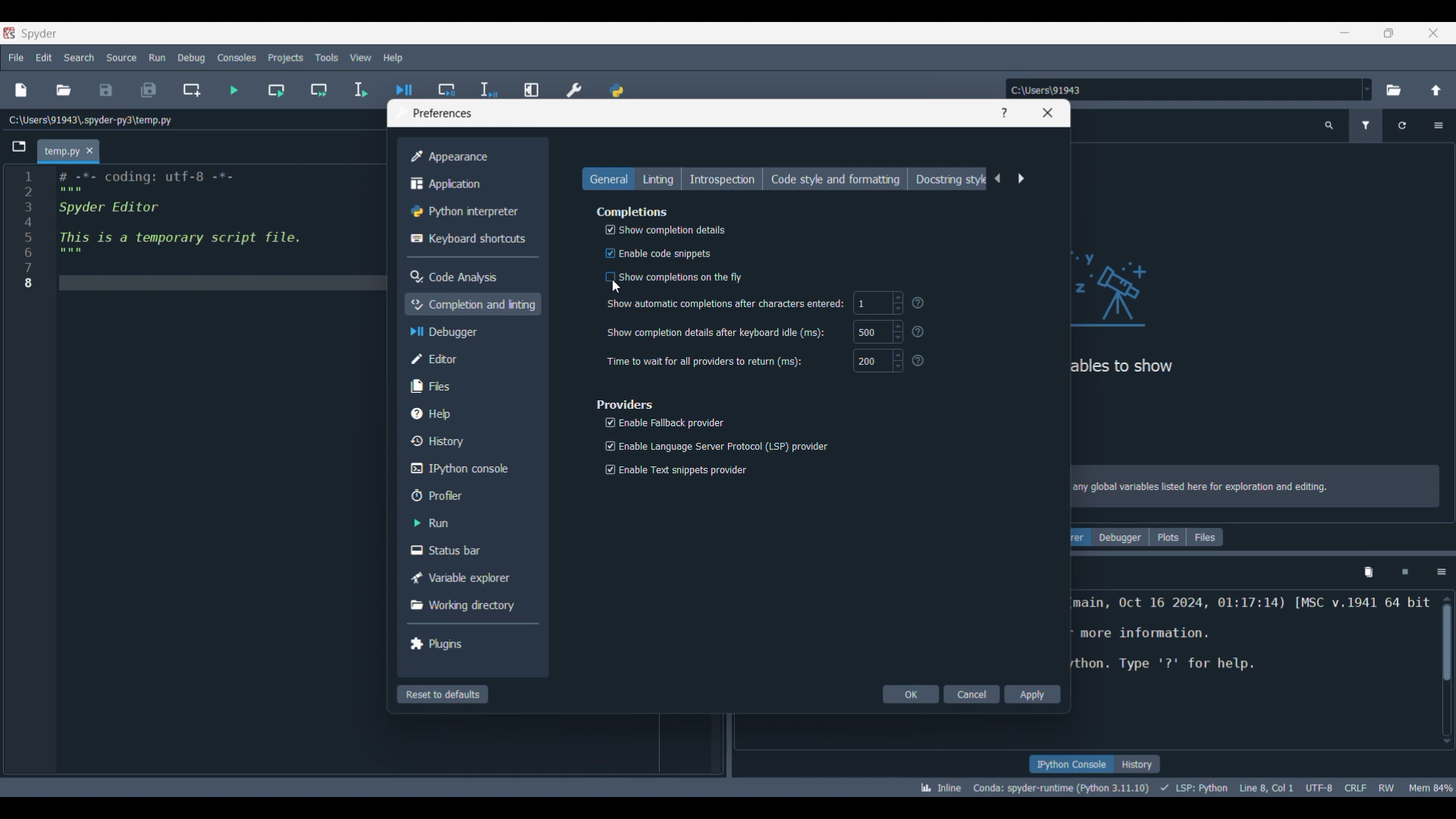  What do you see at coordinates (9, 33) in the screenshot?
I see `Software logo` at bounding box center [9, 33].